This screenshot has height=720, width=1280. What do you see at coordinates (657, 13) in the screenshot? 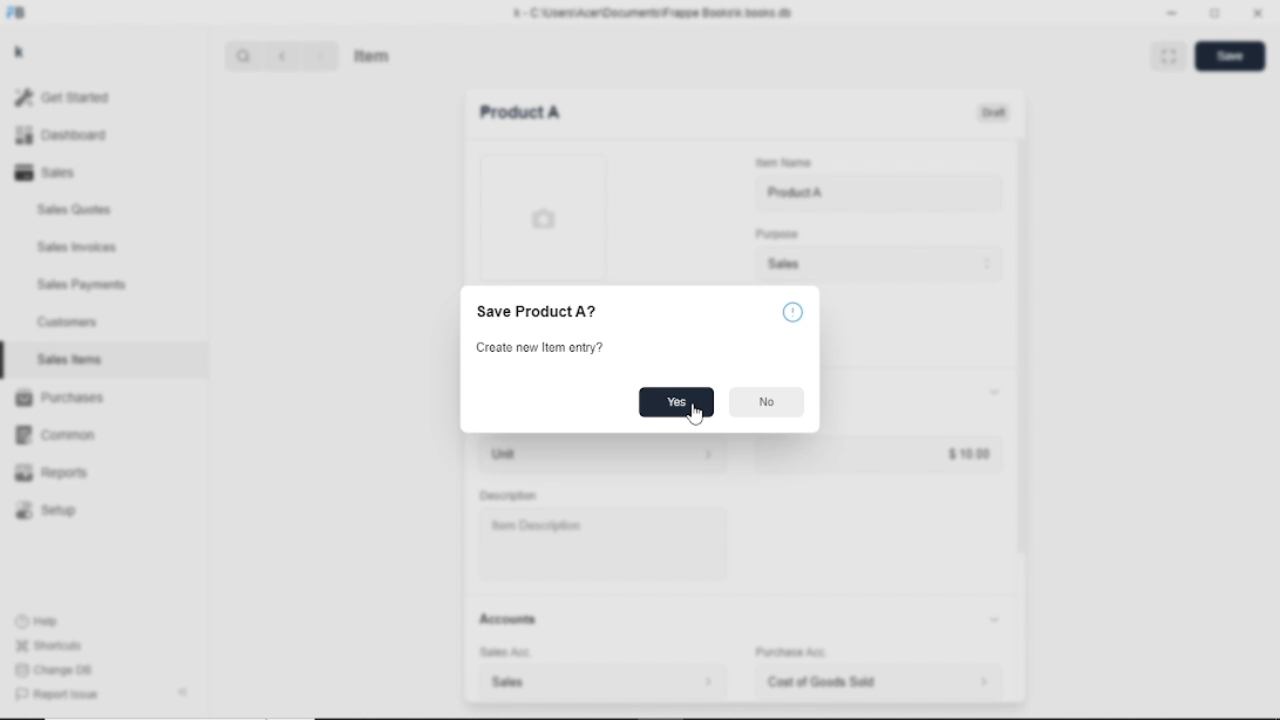
I see `K -C\Users\Acer\Documents\ Frappe Books\k books db` at bounding box center [657, 13].